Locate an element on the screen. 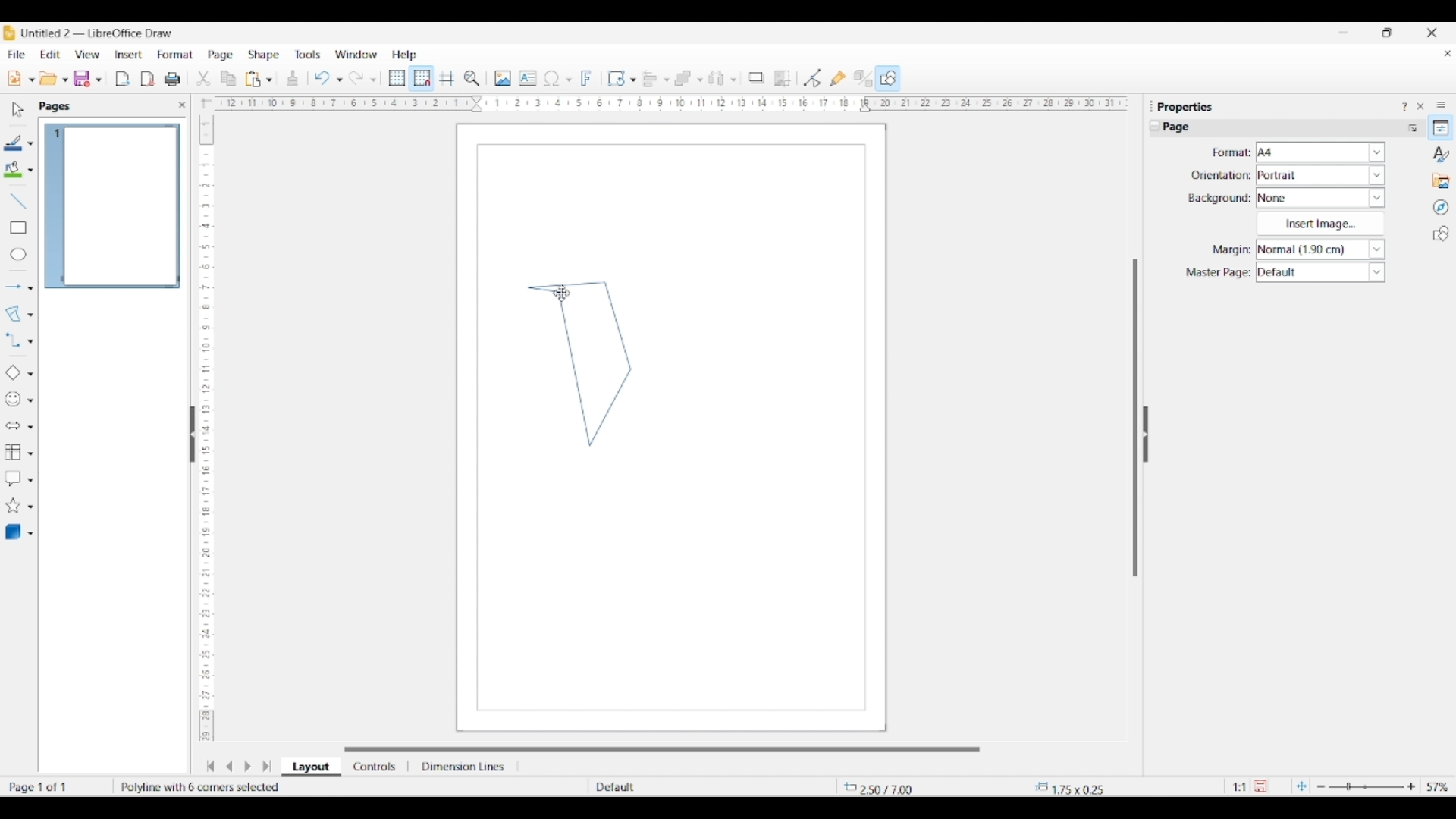 The width and height of the screenshot is (1456, 819). File is located at coordinates (16, 55).